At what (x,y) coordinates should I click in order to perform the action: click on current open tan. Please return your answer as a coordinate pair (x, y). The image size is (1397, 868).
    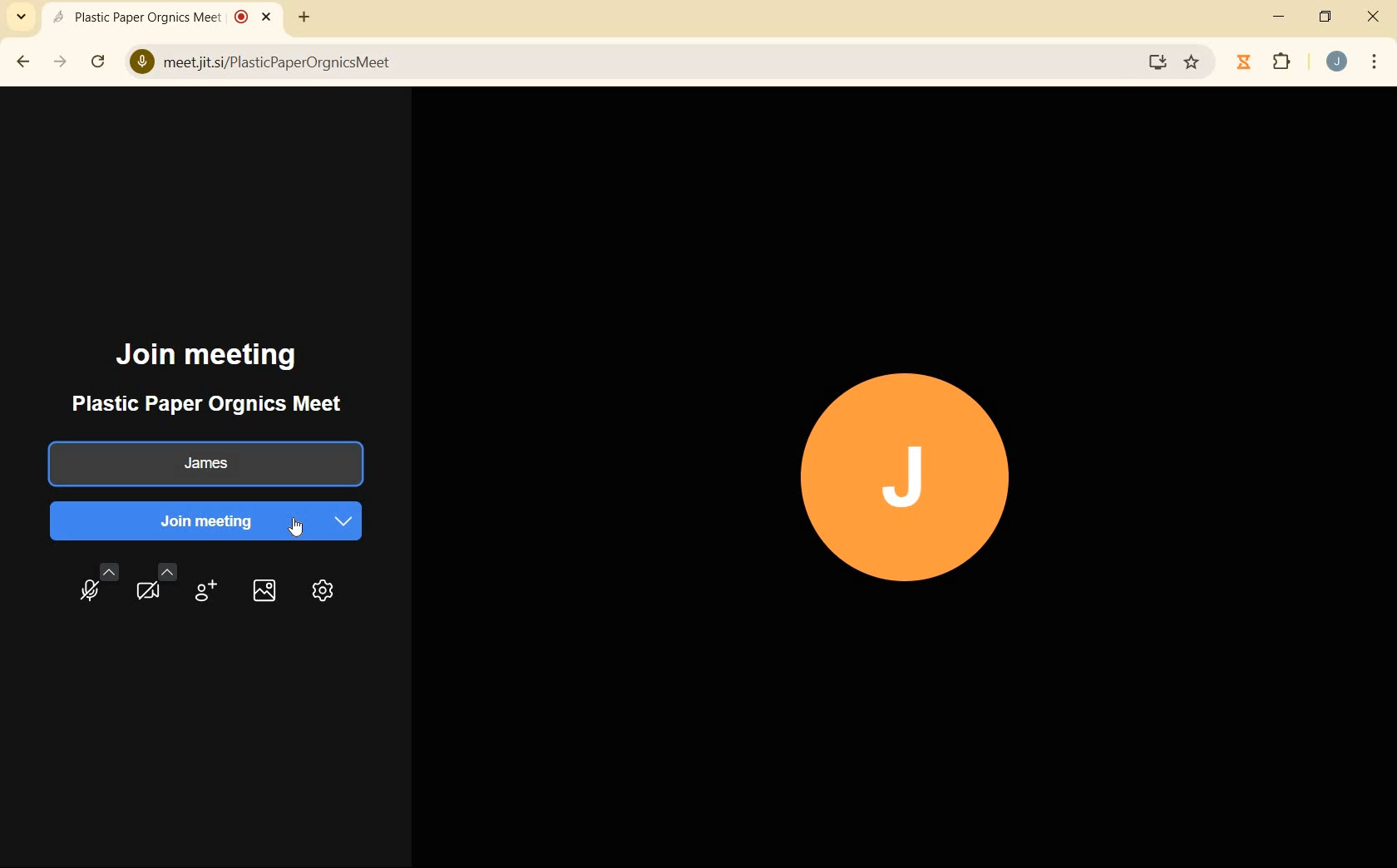
    Looking at the image, I should click on (165, 17).